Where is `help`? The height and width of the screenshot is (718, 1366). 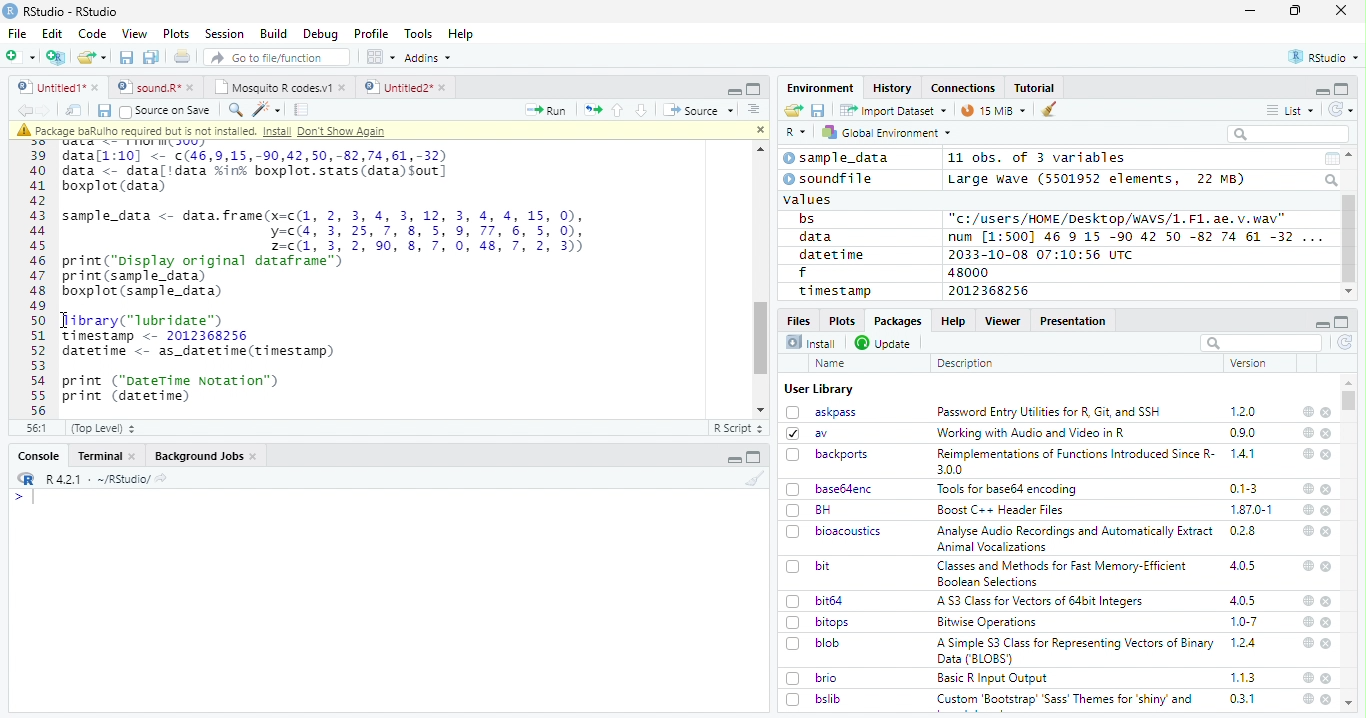
help is located at coordinates (1306, 642).